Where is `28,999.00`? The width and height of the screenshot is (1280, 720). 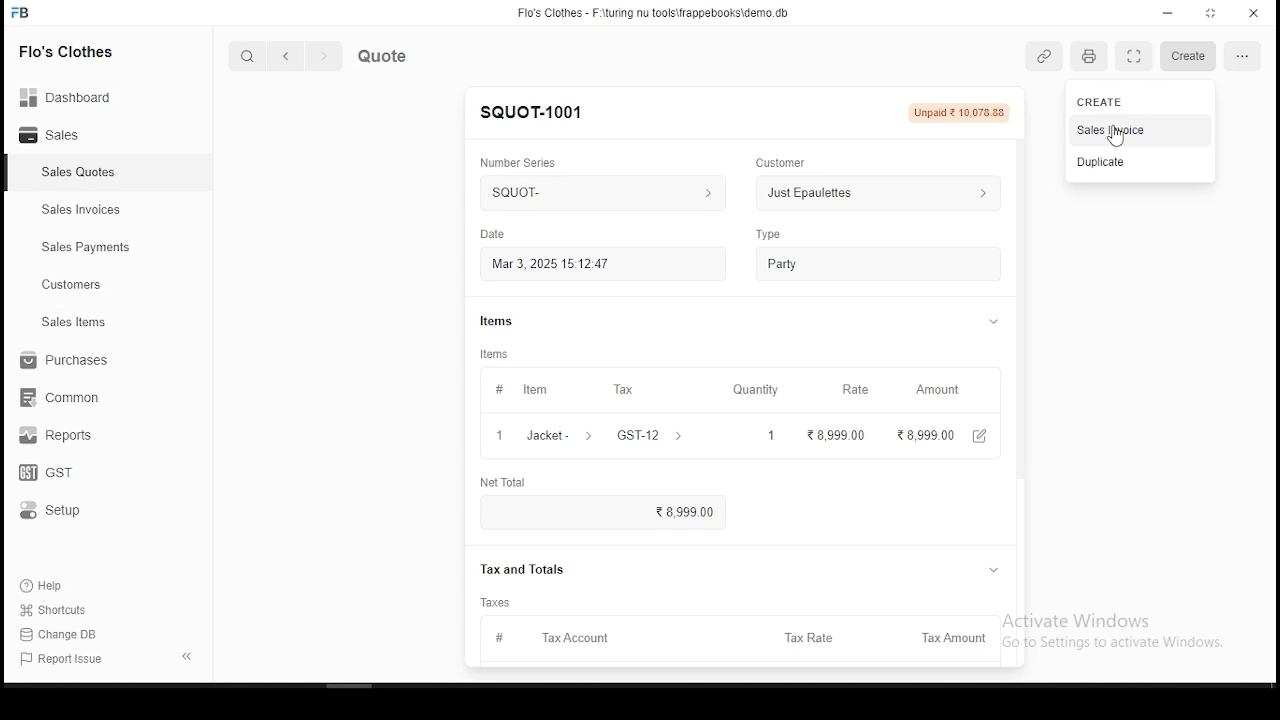
28,999.00 is located at coordinates (930, 434).